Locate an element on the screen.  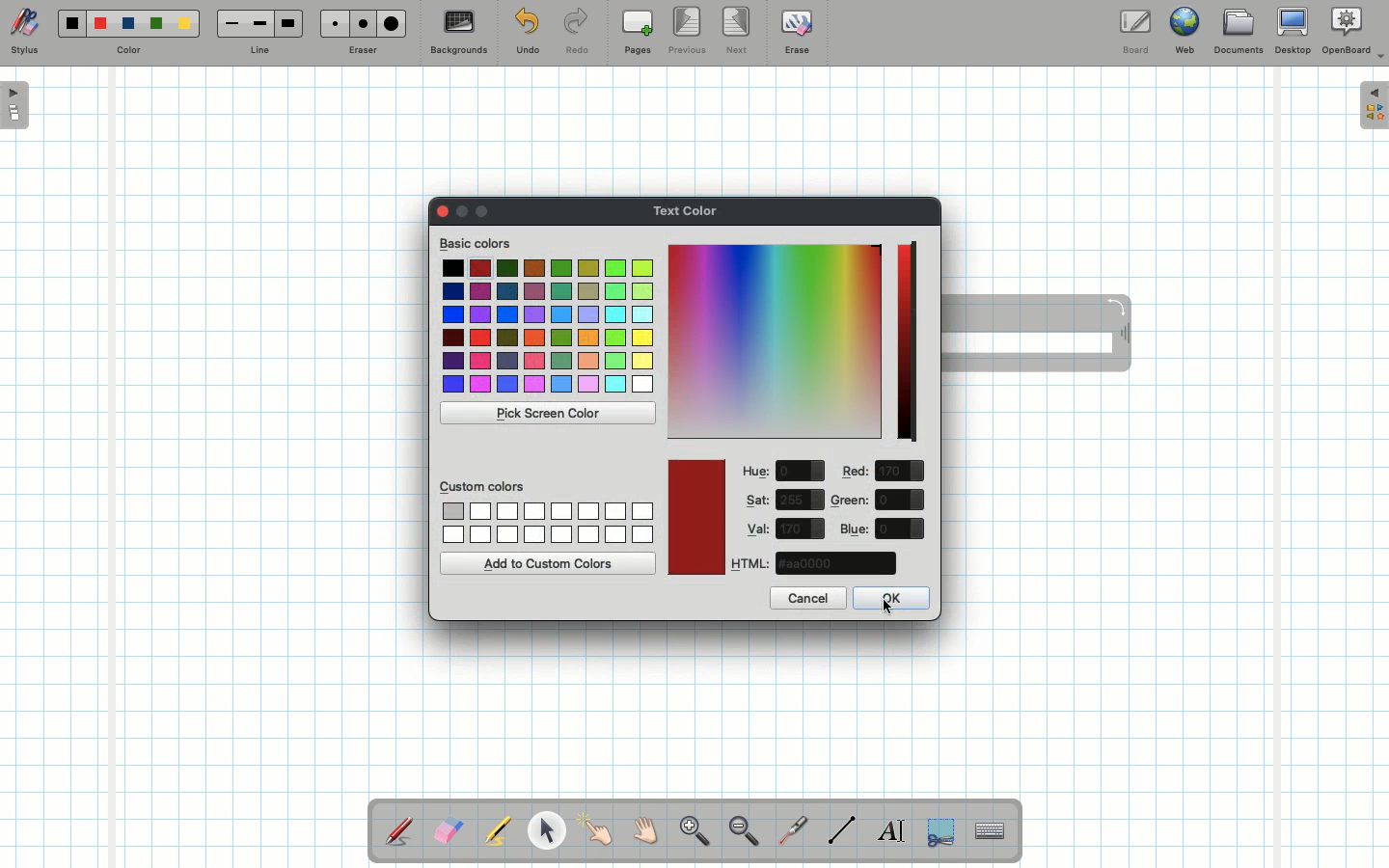
Text color is located at coordinates (688, 207).